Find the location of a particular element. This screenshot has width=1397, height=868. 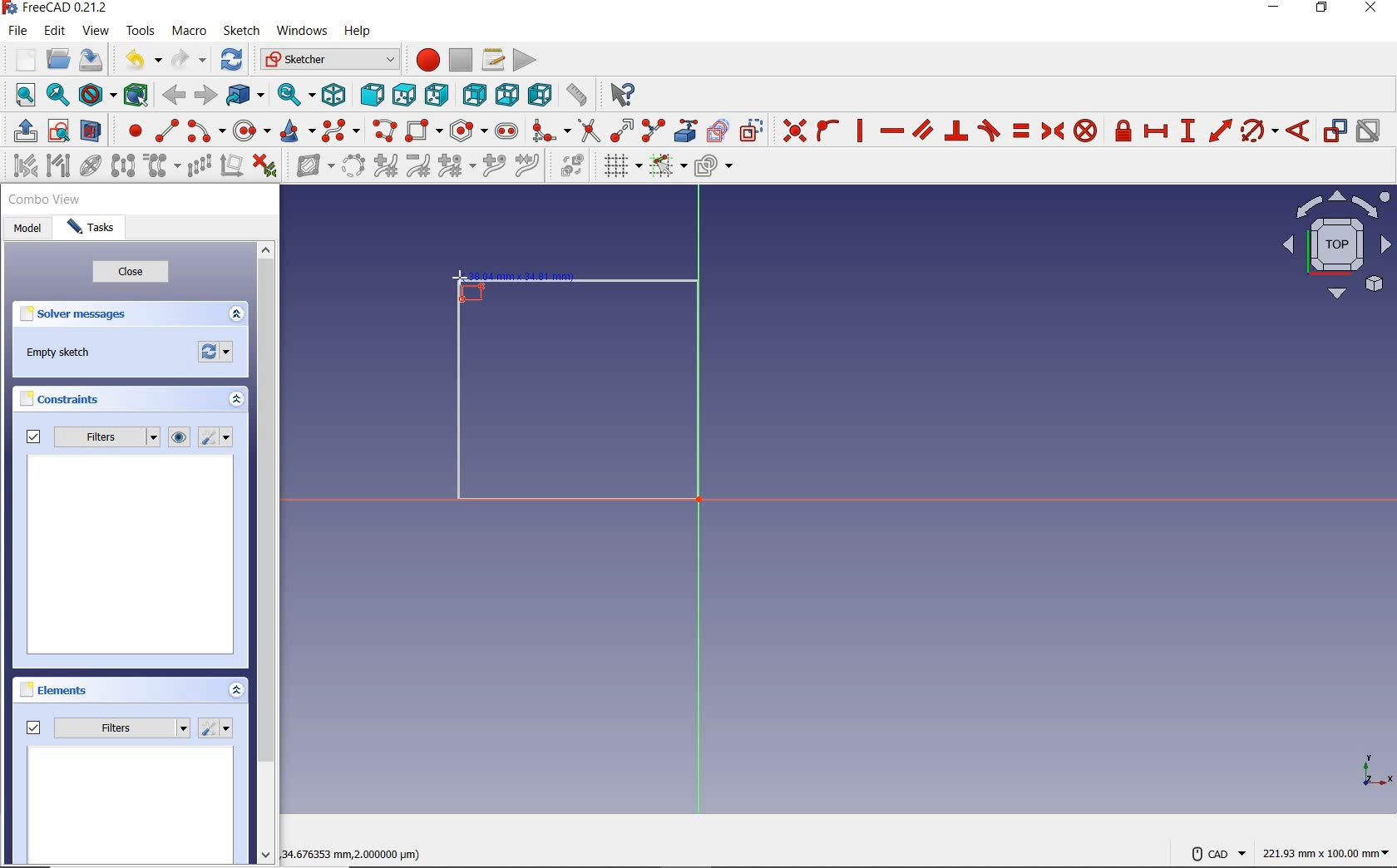

minimize is located at coordinates (1275, 11).